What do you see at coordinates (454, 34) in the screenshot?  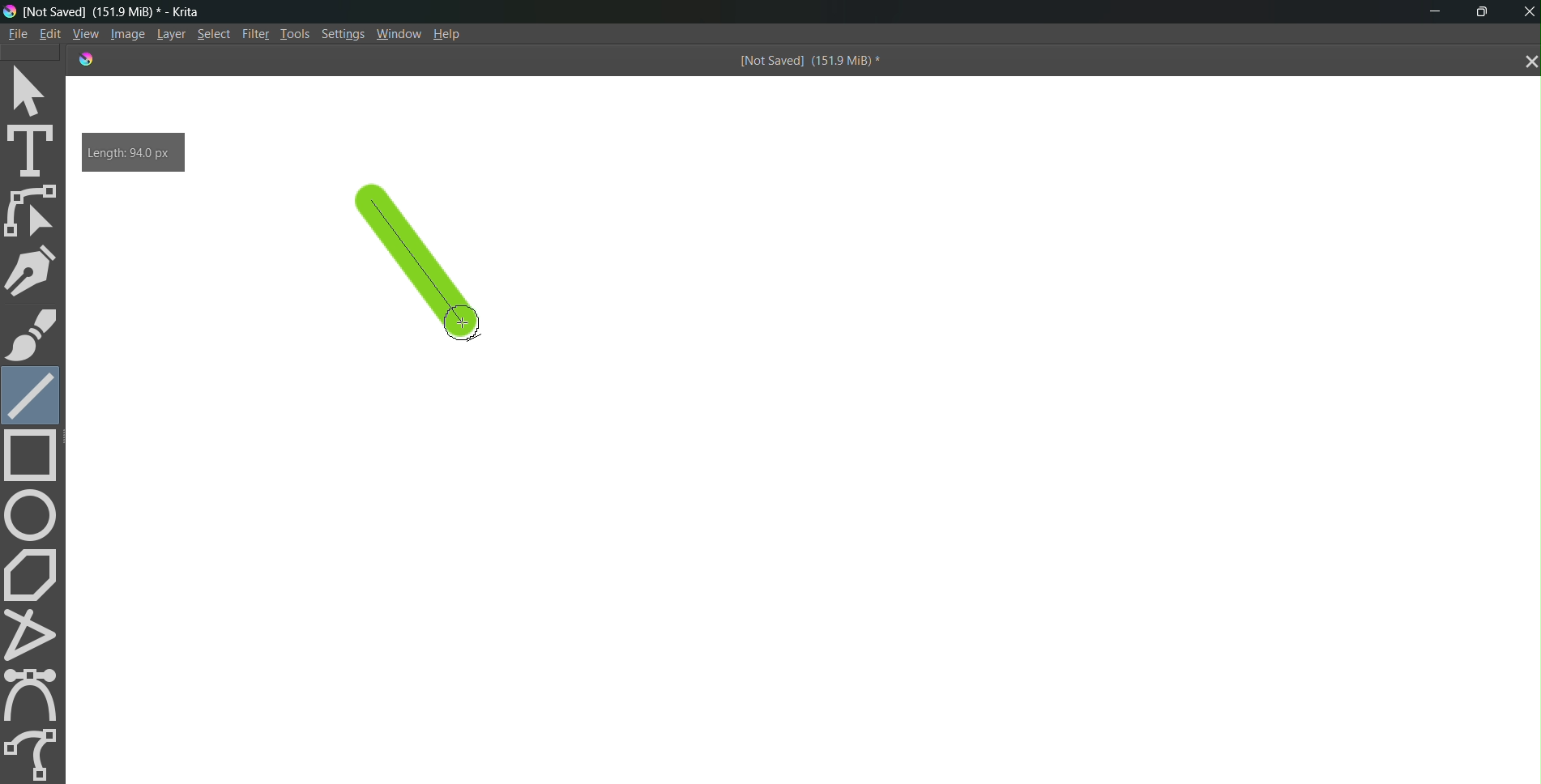 I see `Help` at bounding box center [454, 34].